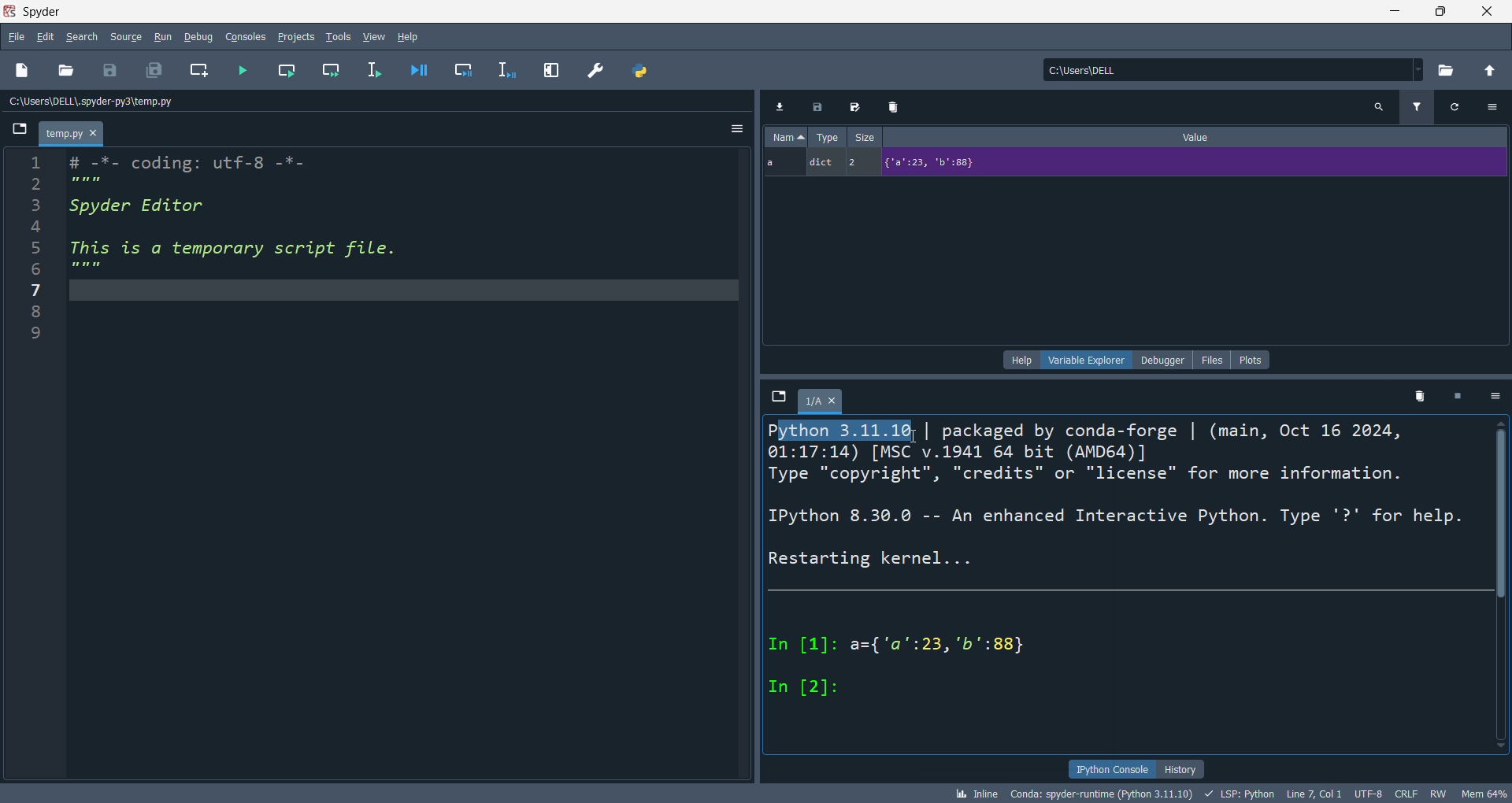 The height and width of the screenshot is (803, 1512). I want to click on close, so click(1485, 13).